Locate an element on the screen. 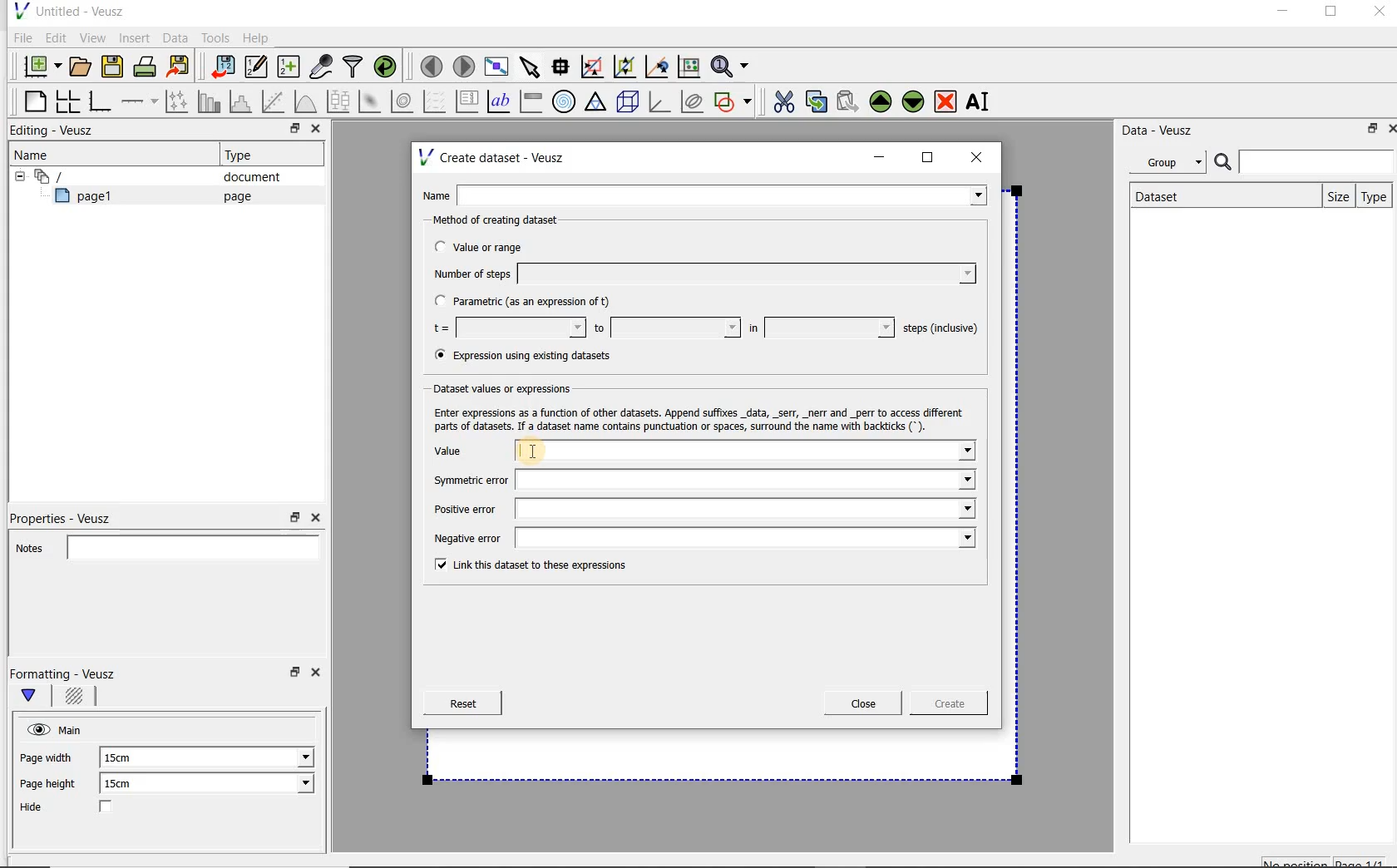 The height and width of the screenshot is (868, 1397). Editing - Veusz is located at coordinates (56, 131).